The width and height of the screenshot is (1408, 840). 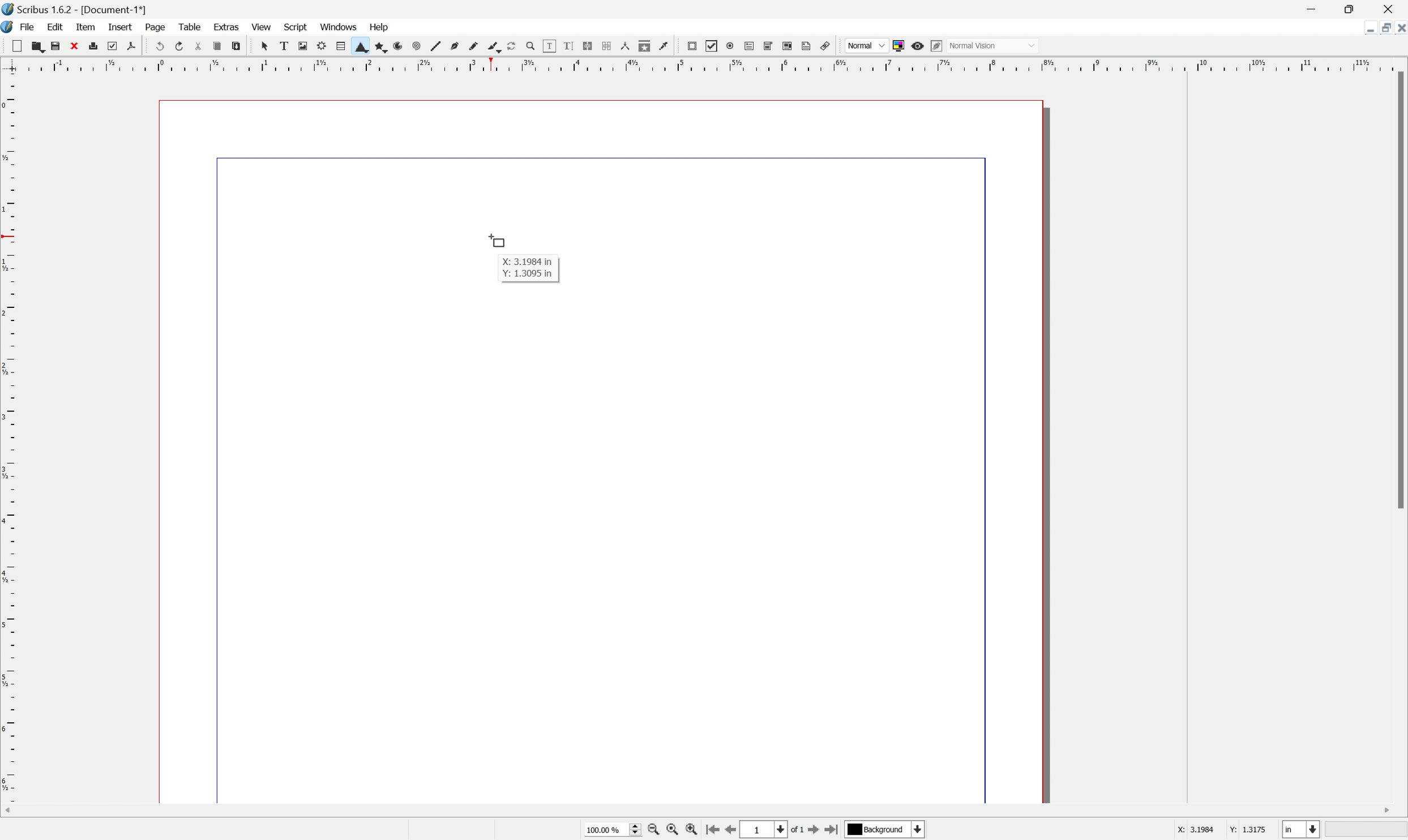 I want to click on Select current unit, so click(x=1303, y=829).